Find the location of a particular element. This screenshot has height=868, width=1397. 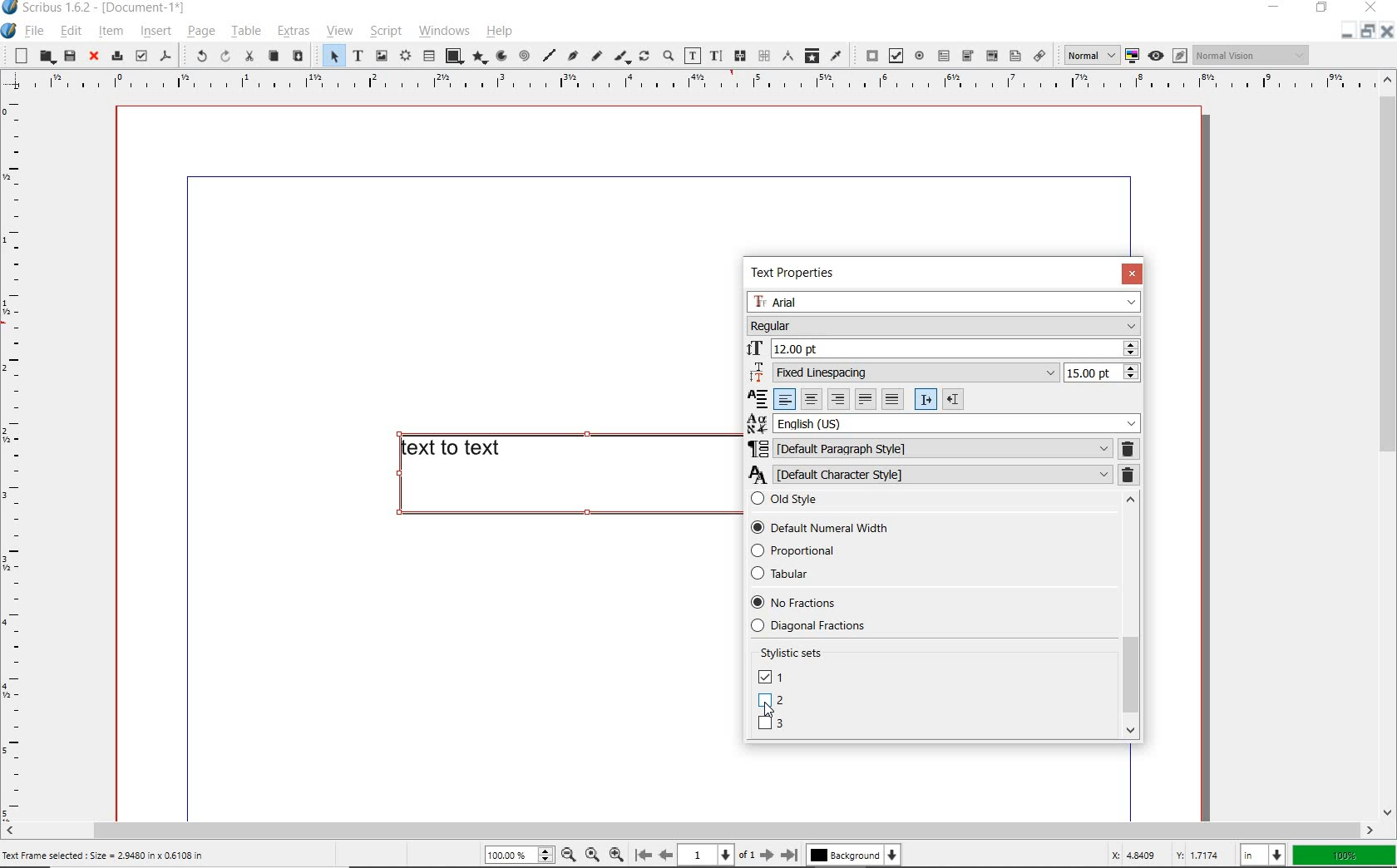

Proportional is located at coordinates (837, 550).